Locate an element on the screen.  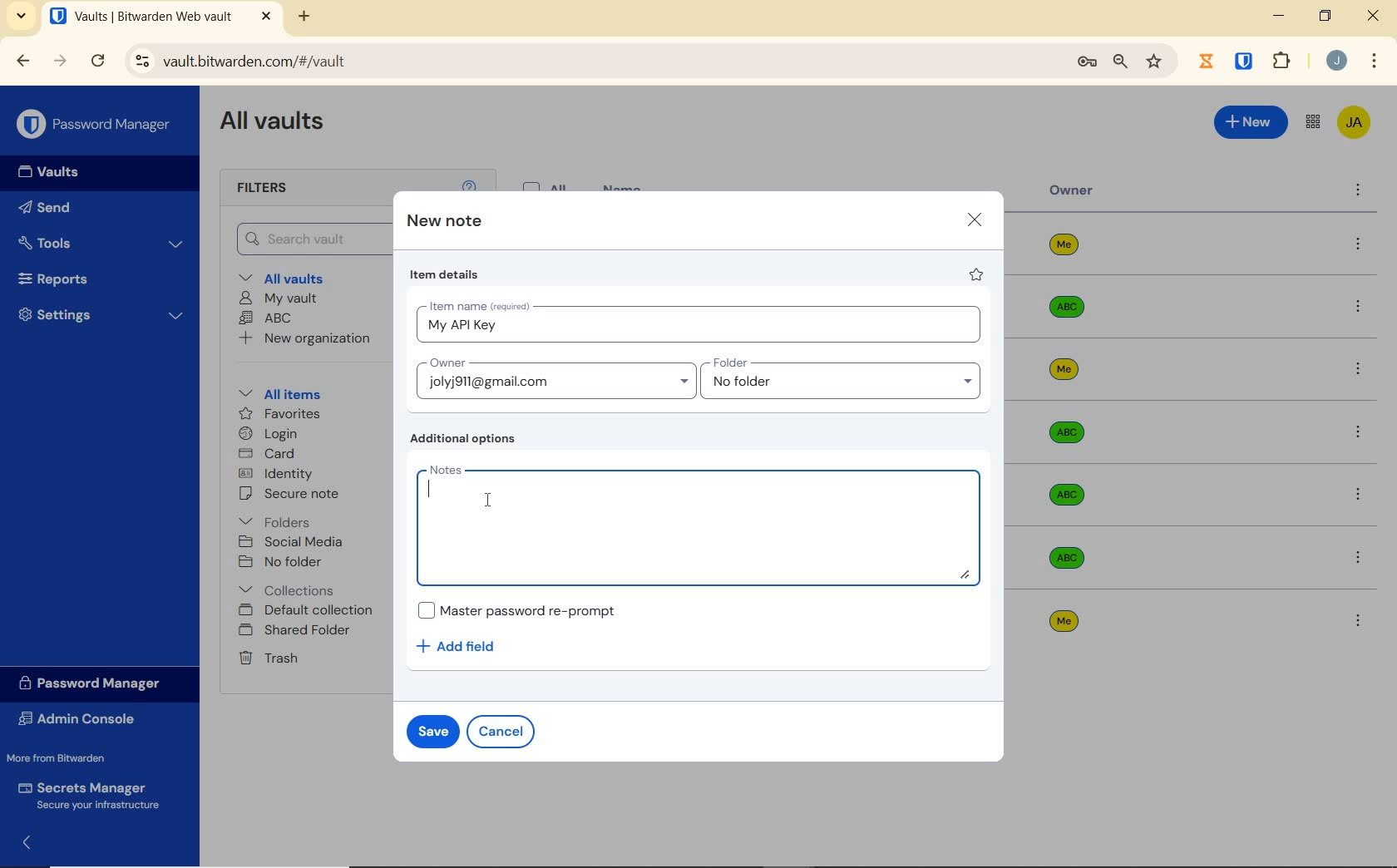
Account is located at coordinates (1337, 62).